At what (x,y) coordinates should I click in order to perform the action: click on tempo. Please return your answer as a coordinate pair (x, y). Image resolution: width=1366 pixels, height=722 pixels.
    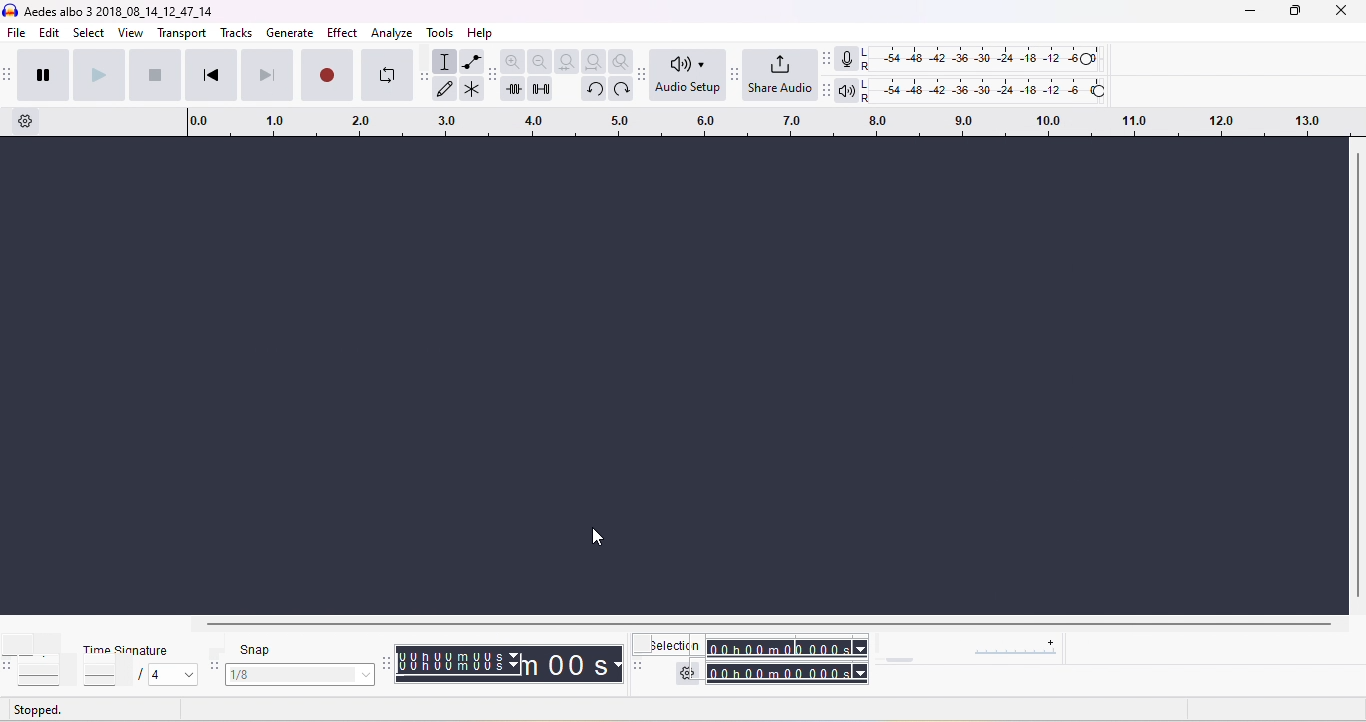
    Looking at the image, I should click on (40, 652).